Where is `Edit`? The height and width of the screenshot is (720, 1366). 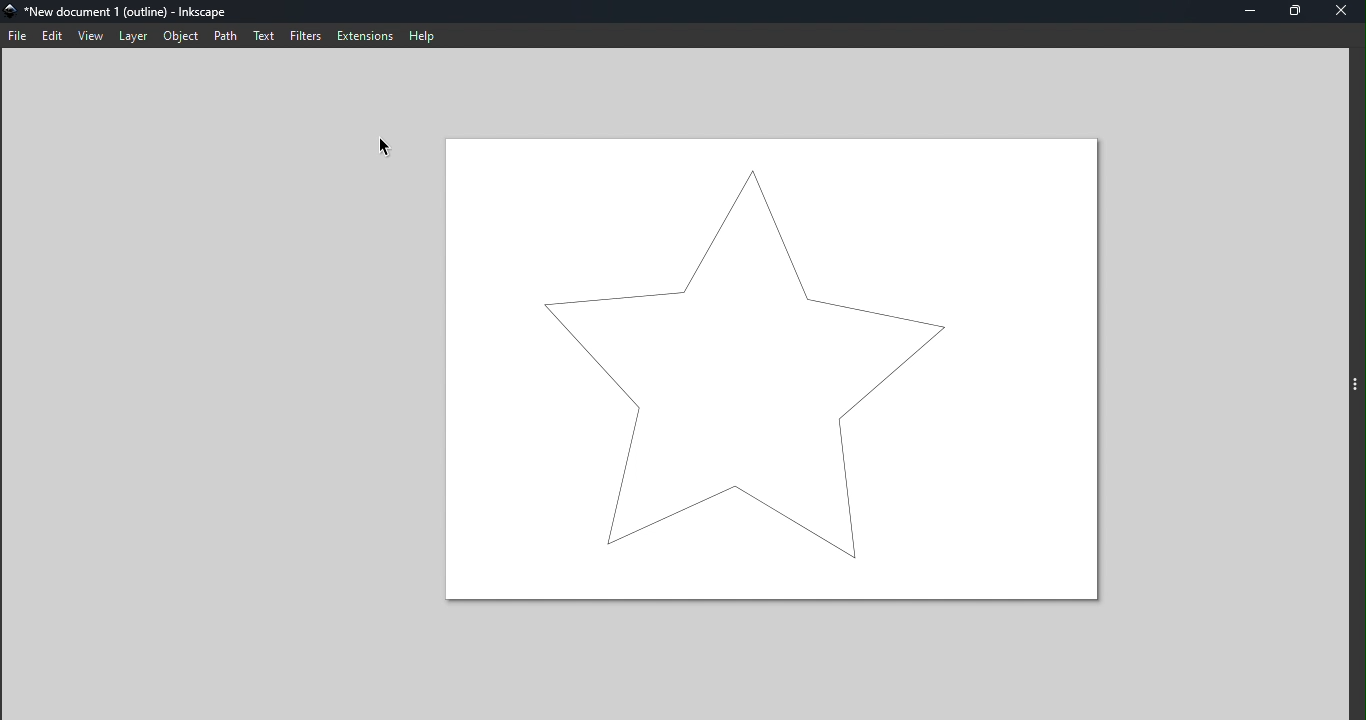 Edit is located at coordinates (55, 36).